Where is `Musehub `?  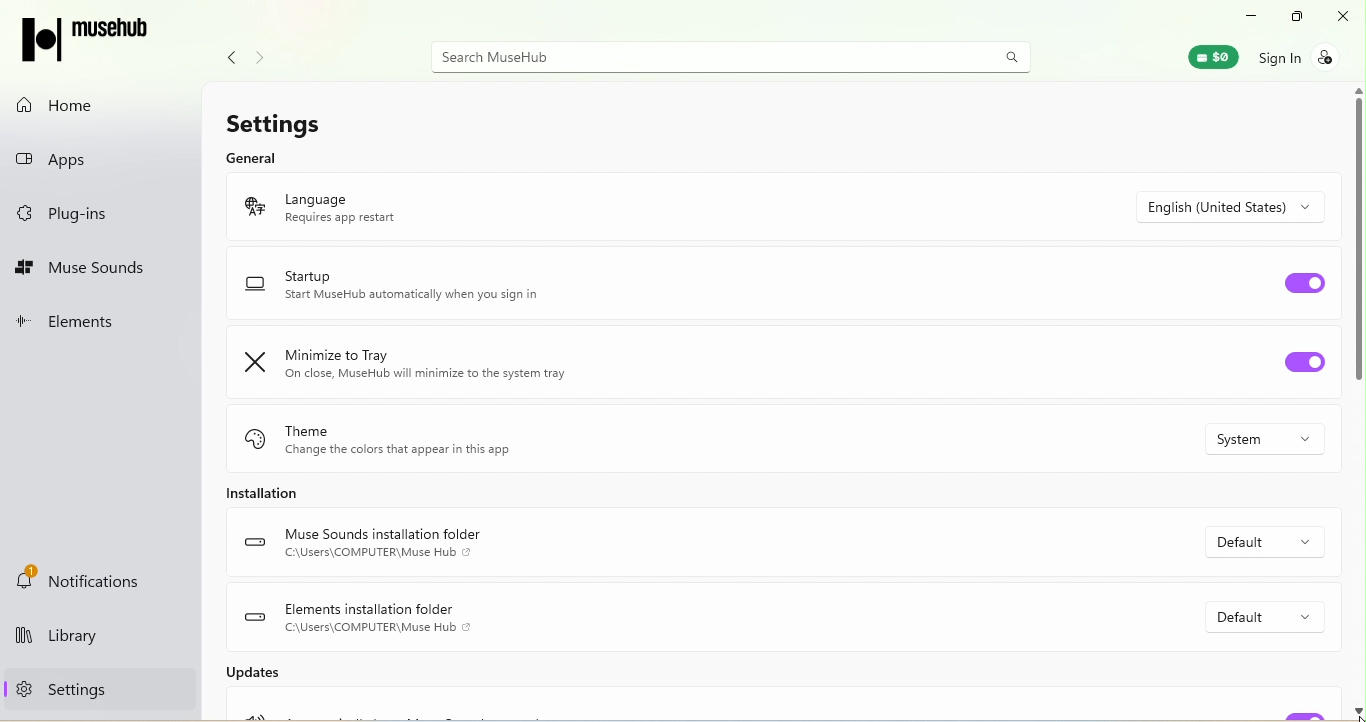 Musehub  is located at coordinates (97, 41).